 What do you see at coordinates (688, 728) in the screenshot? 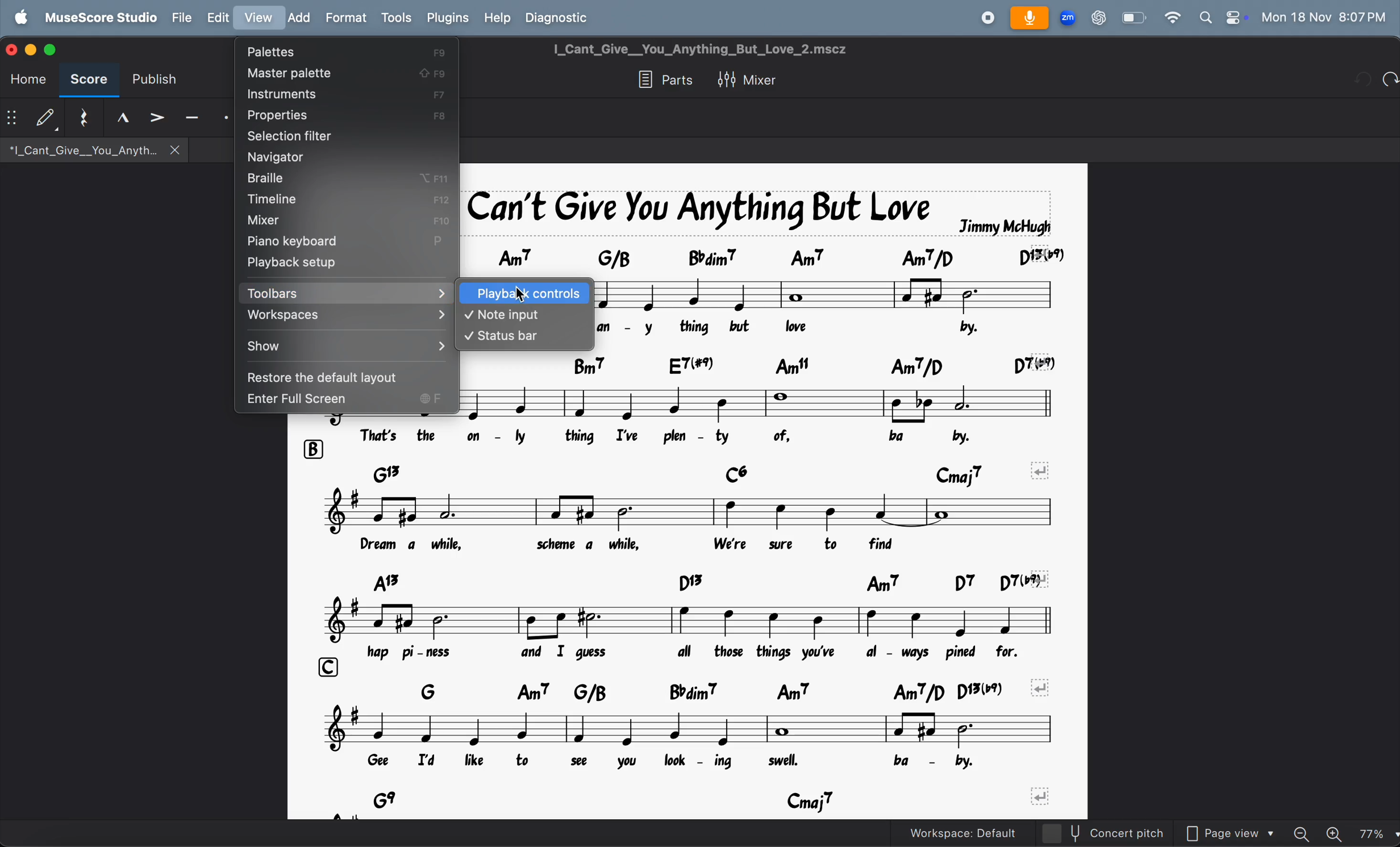
I see `notes` at bounding box center [688, 728].